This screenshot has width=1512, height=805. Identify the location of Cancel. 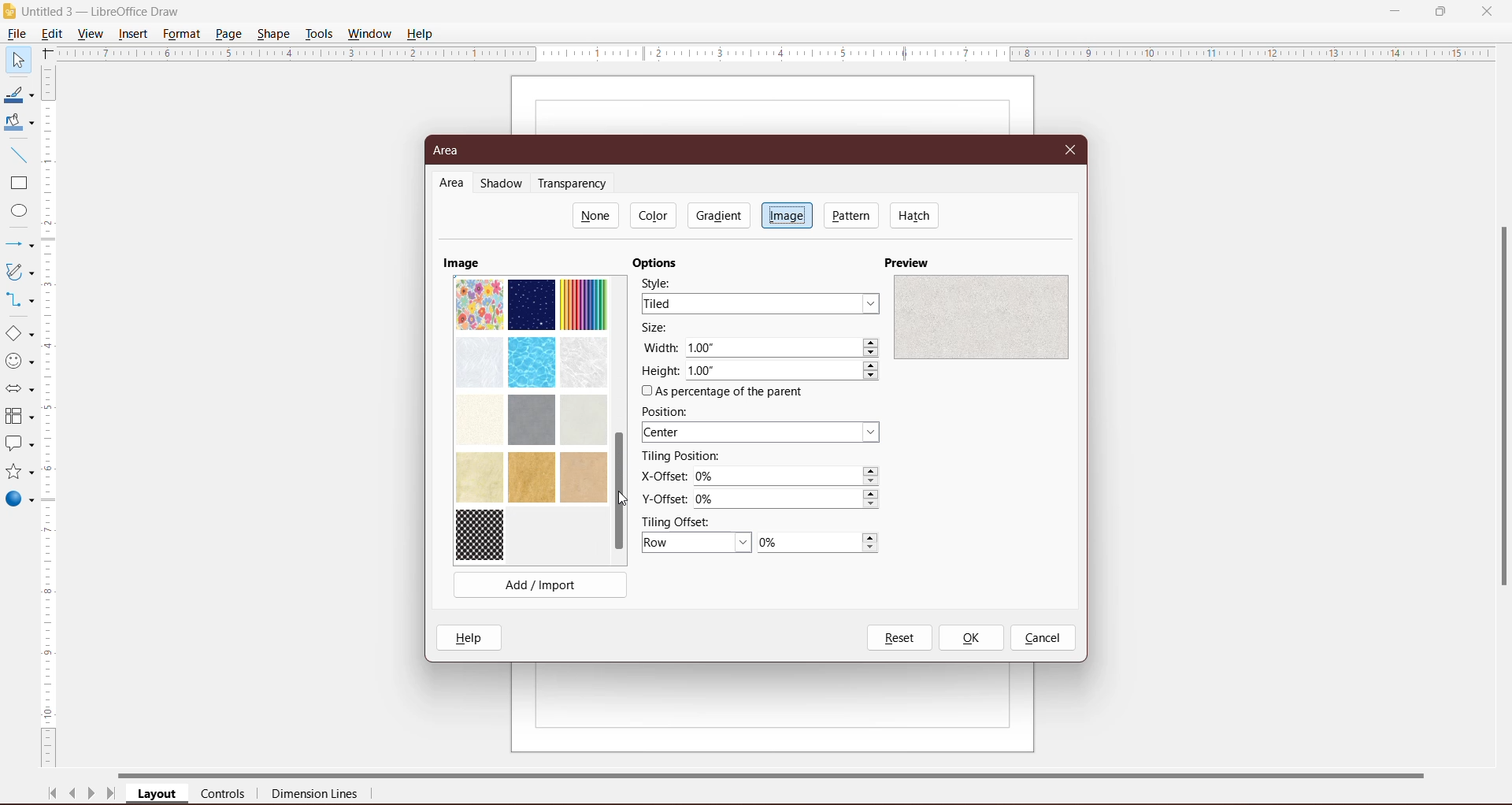
(1043, 639).